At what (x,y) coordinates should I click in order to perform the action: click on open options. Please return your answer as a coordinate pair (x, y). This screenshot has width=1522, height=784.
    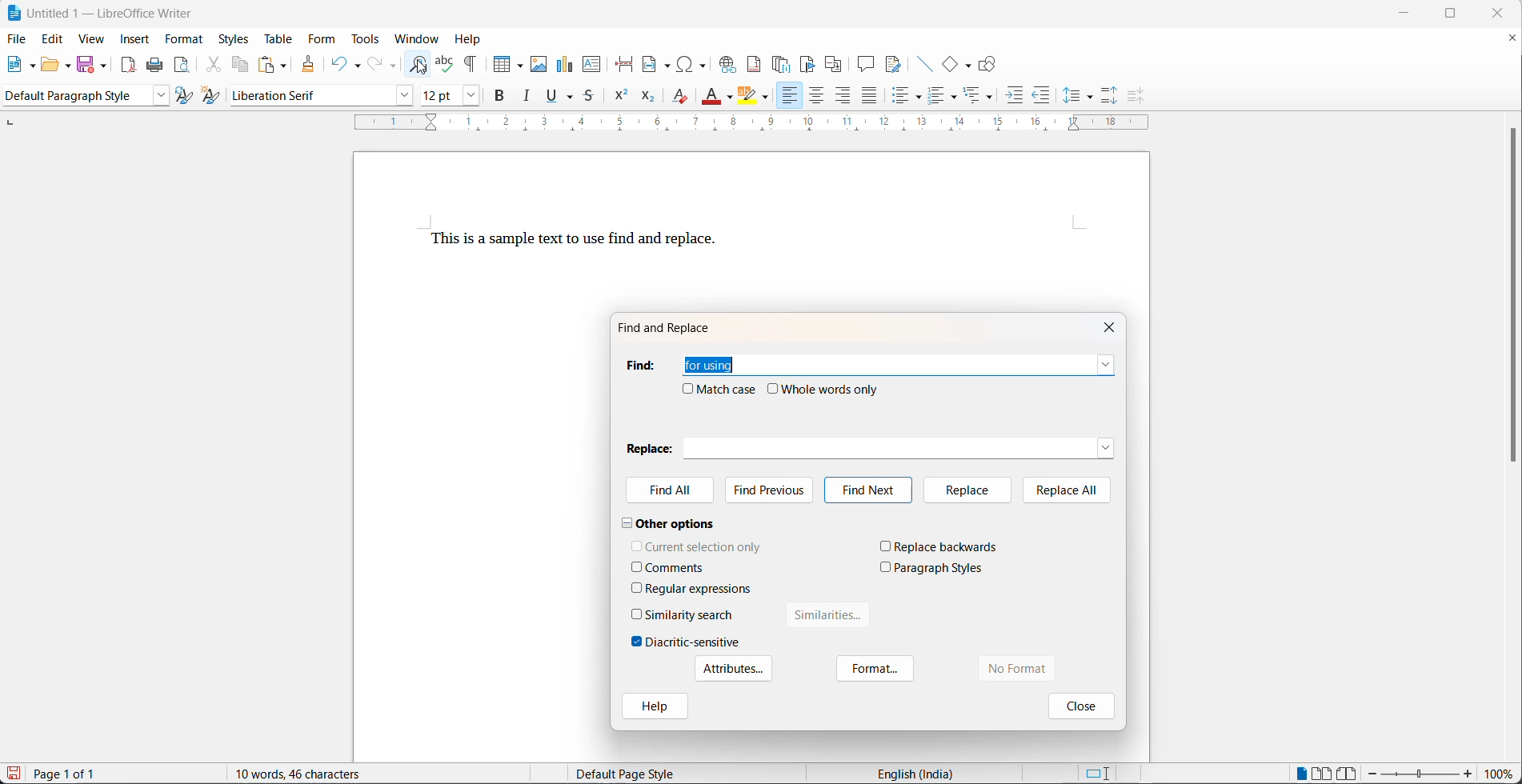
    Looking at the image, I should click on (69, 64).